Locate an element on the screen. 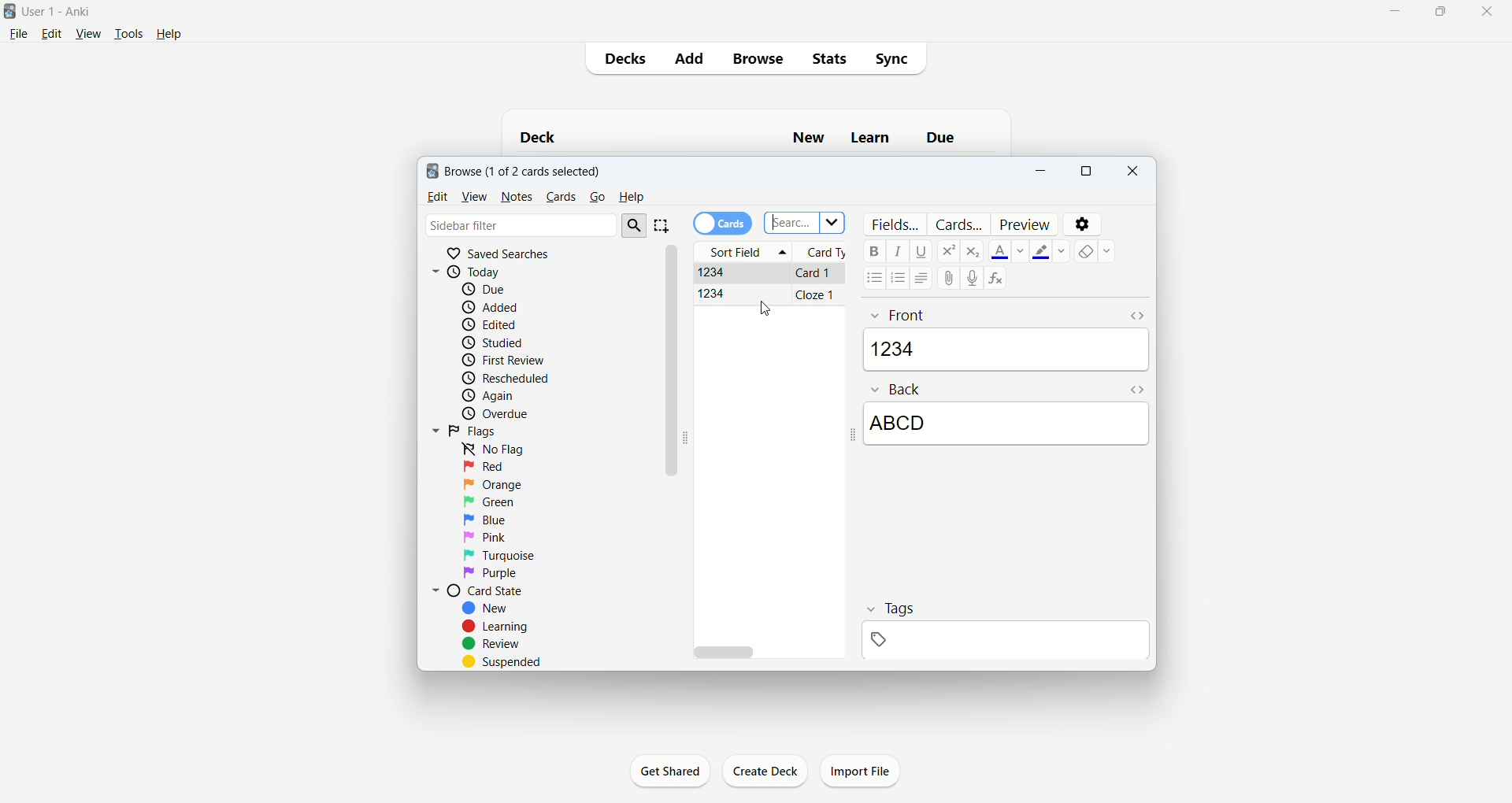 The image size is (1512, 803). go is located at coordinates (596, 197).